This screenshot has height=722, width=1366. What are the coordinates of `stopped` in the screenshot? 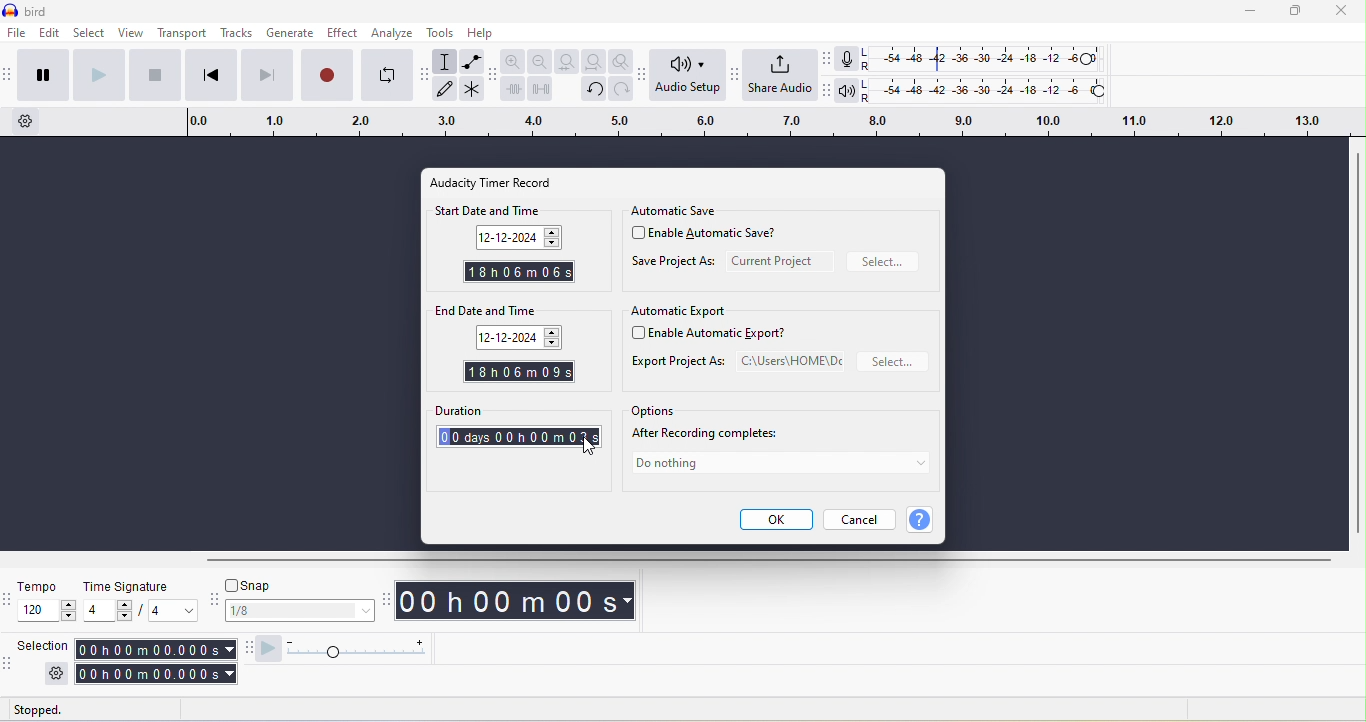 It's located at (50, 710).